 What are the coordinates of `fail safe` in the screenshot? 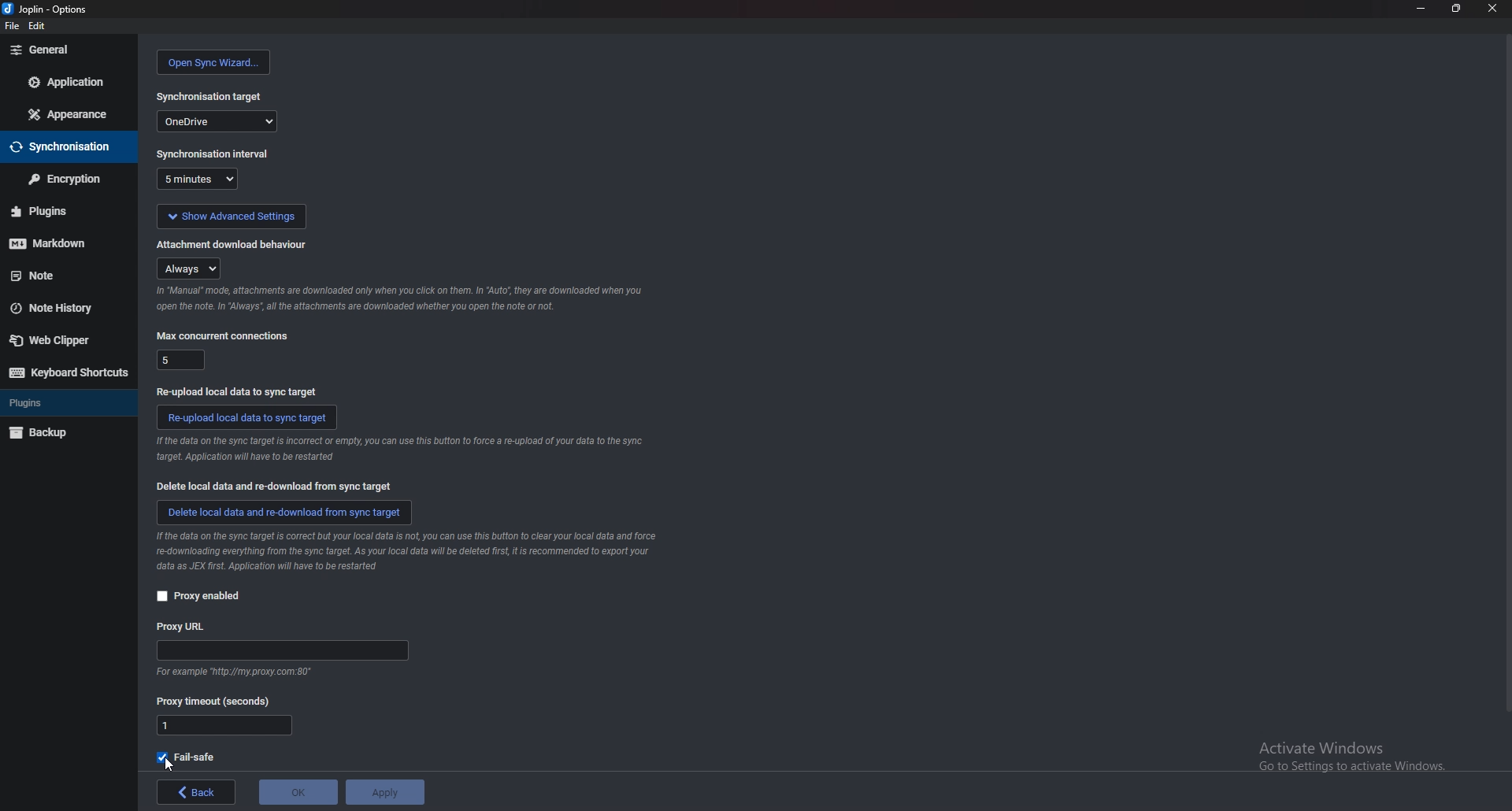 It's located at (190, 757).